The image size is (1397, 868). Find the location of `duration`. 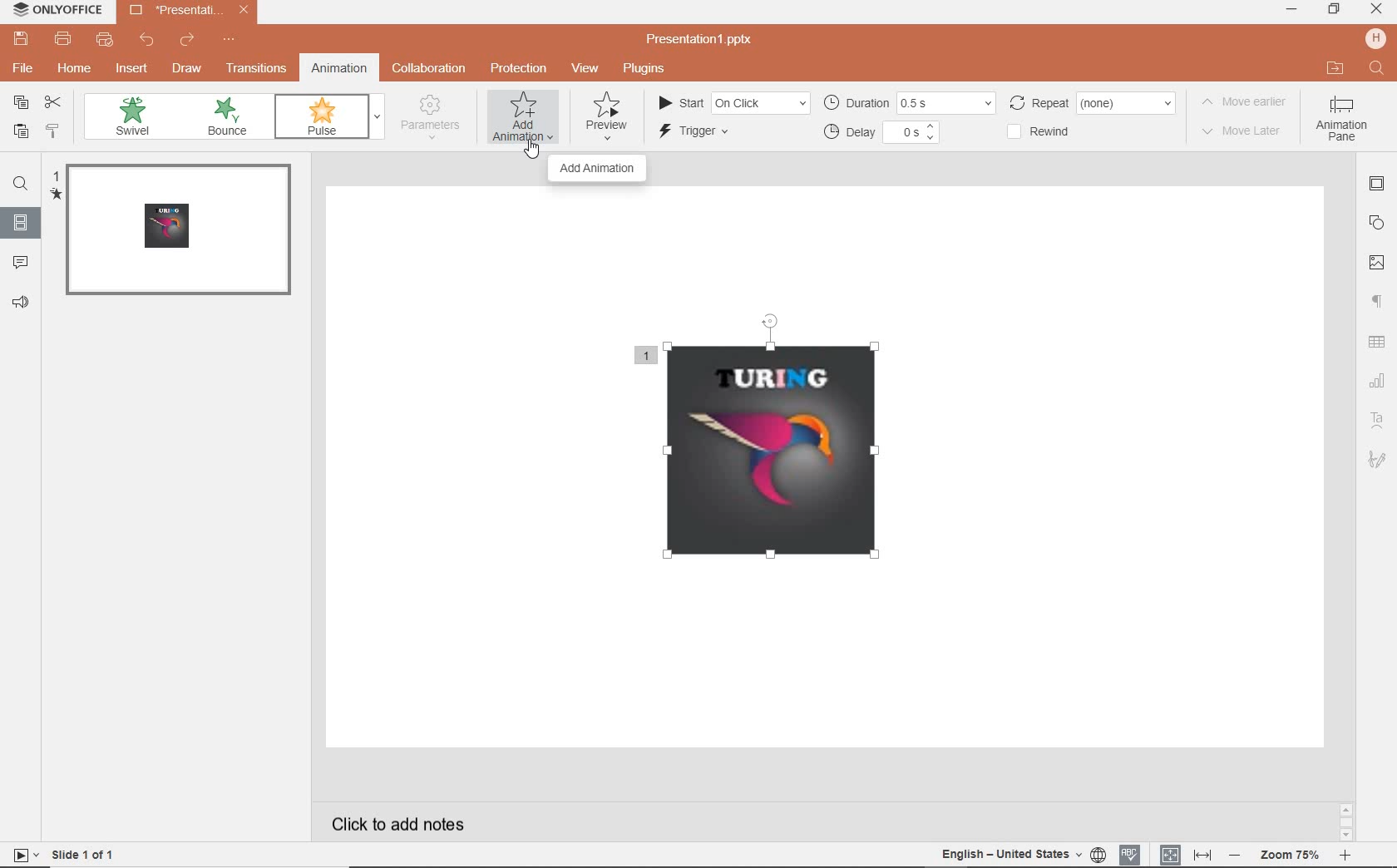

duration is located at coordinates (909, 104).